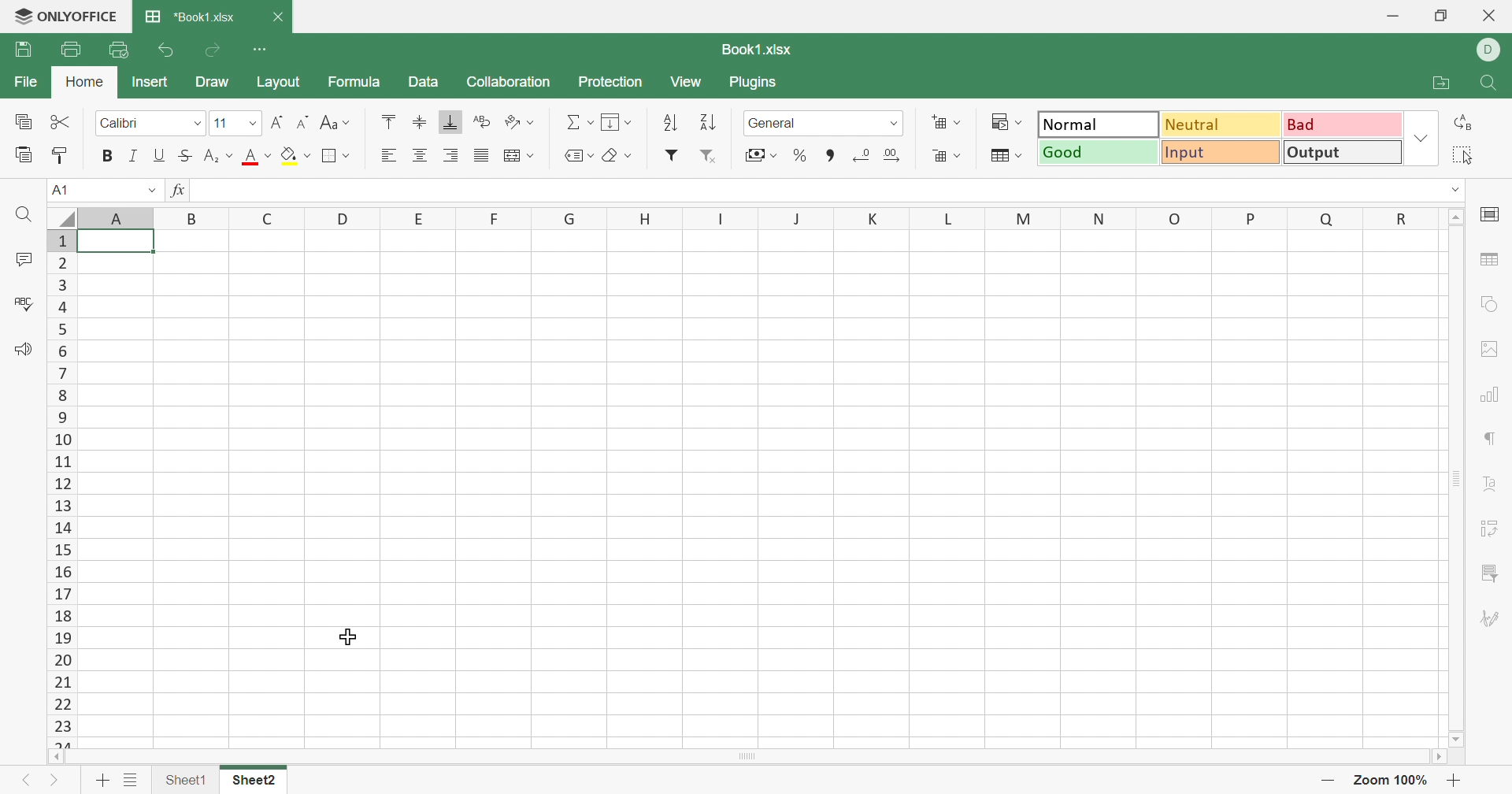 This screenshot has width=1512, height=794. What do you see at coordinates (59, 484) in the screenshot?
I see `12` at bounding box center [59, 484].